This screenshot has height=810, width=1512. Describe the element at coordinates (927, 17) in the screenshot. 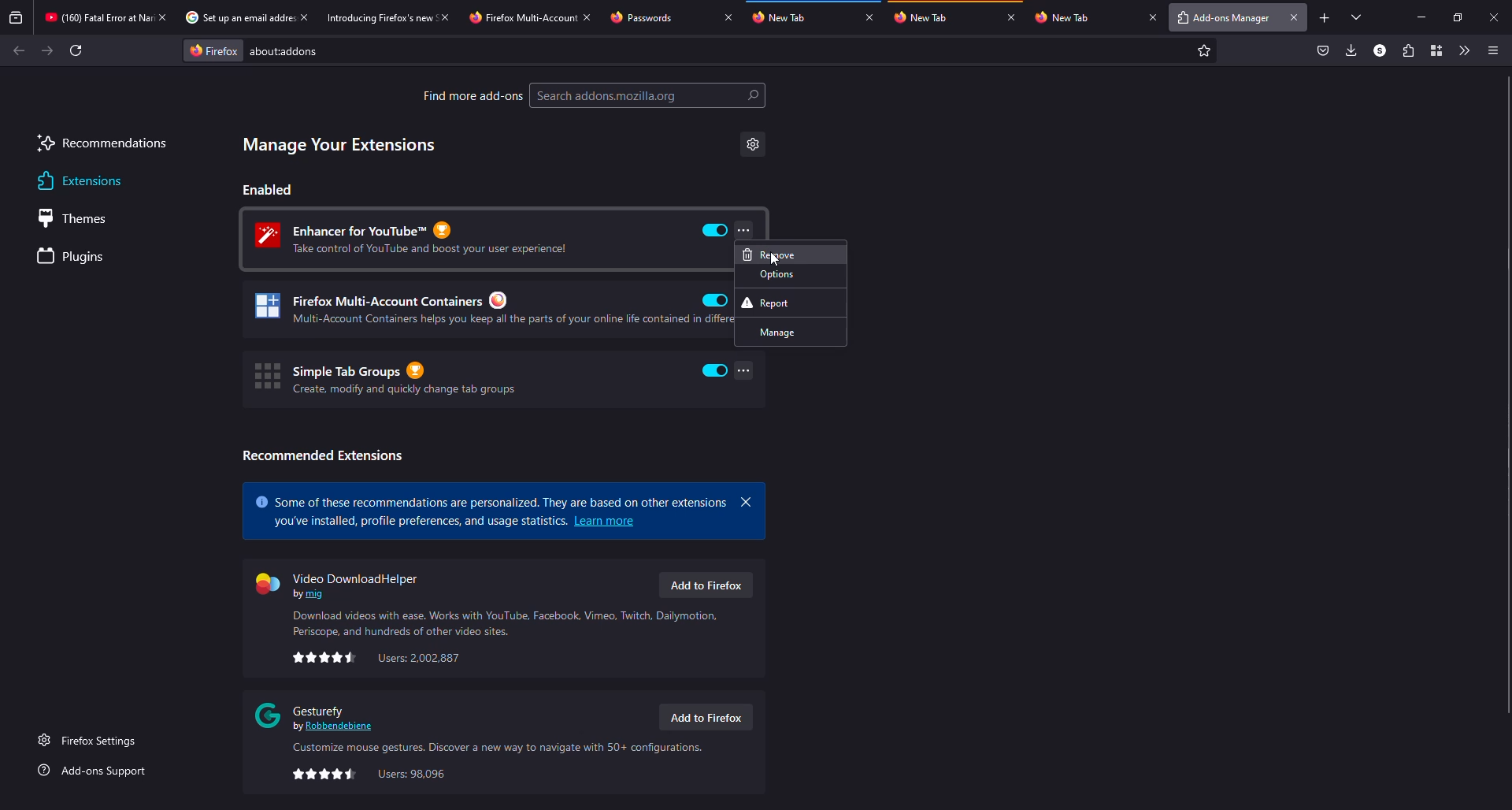

I see `tab` at that location.